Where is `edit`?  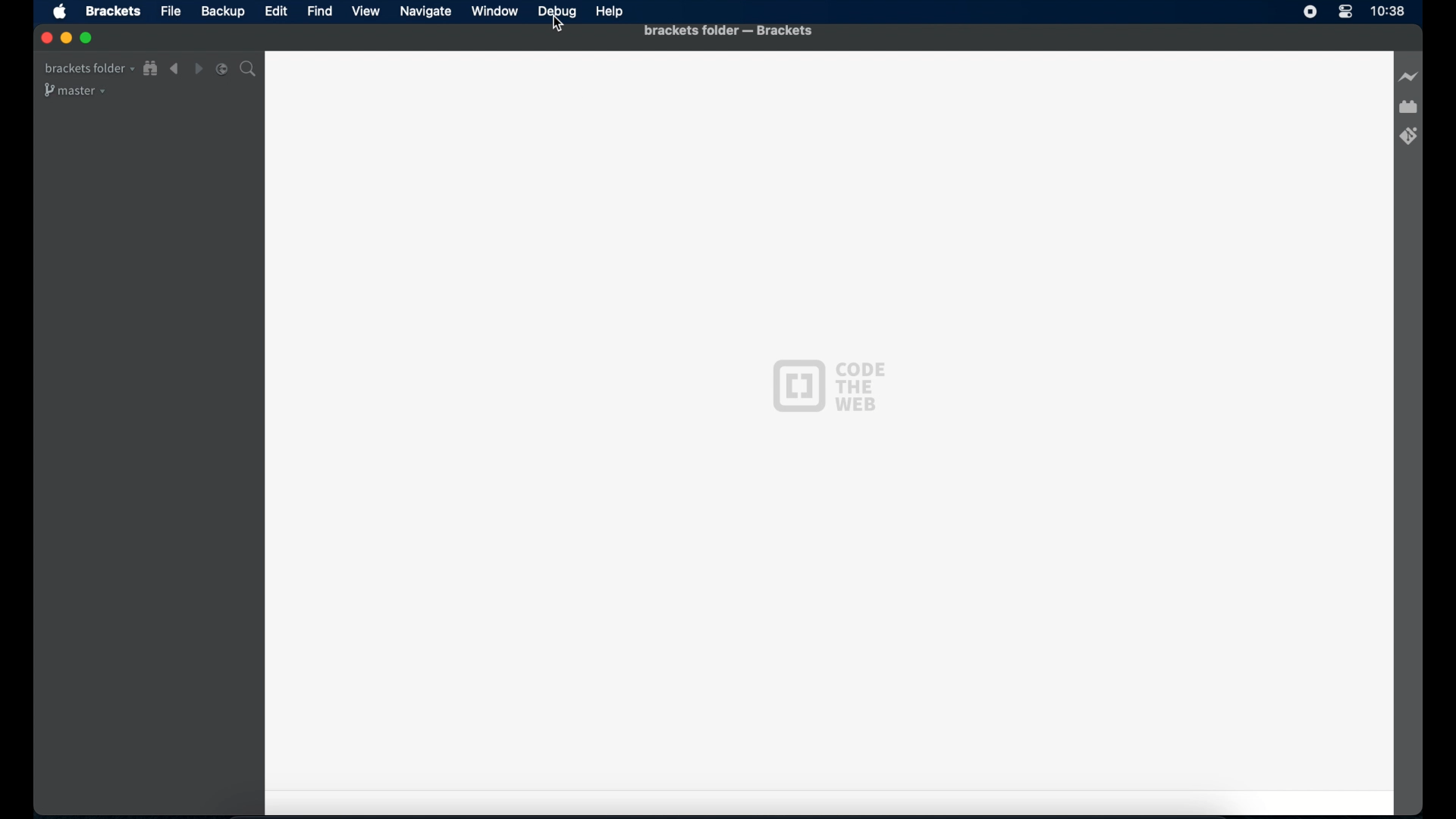
edit is located at coordinates (275, 11).